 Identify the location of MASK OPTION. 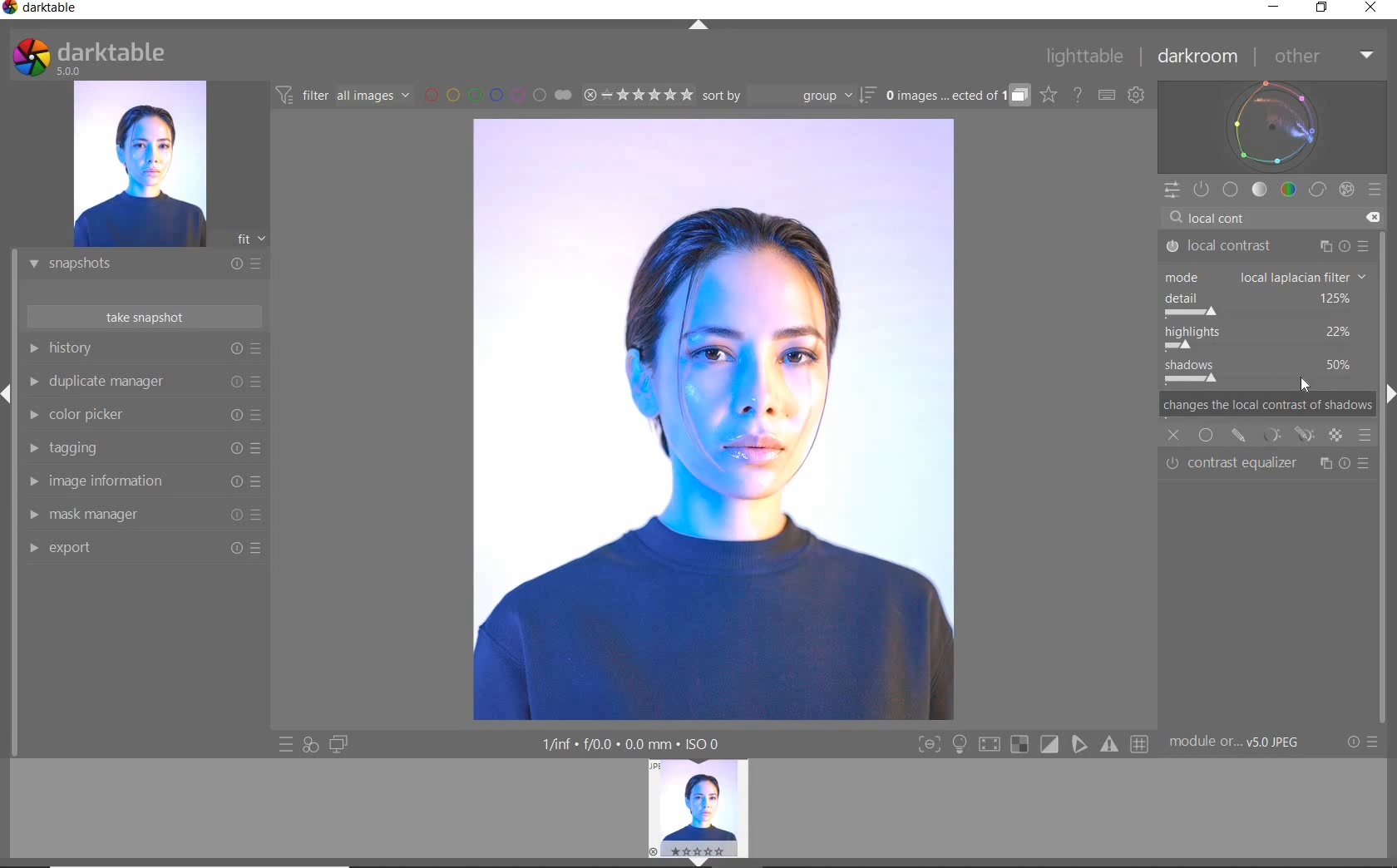
(1273, 437).